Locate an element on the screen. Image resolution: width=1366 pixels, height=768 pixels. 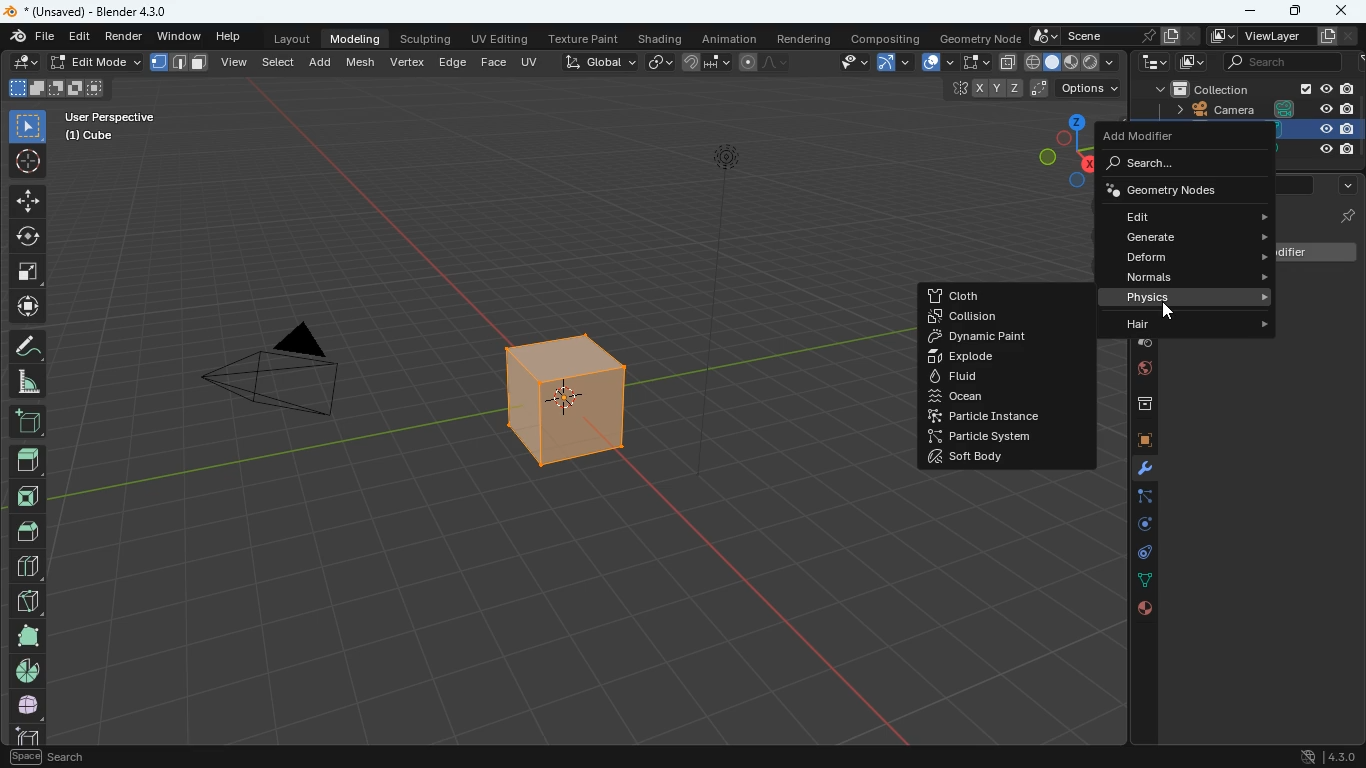
select is located at coordinates (28, 124).